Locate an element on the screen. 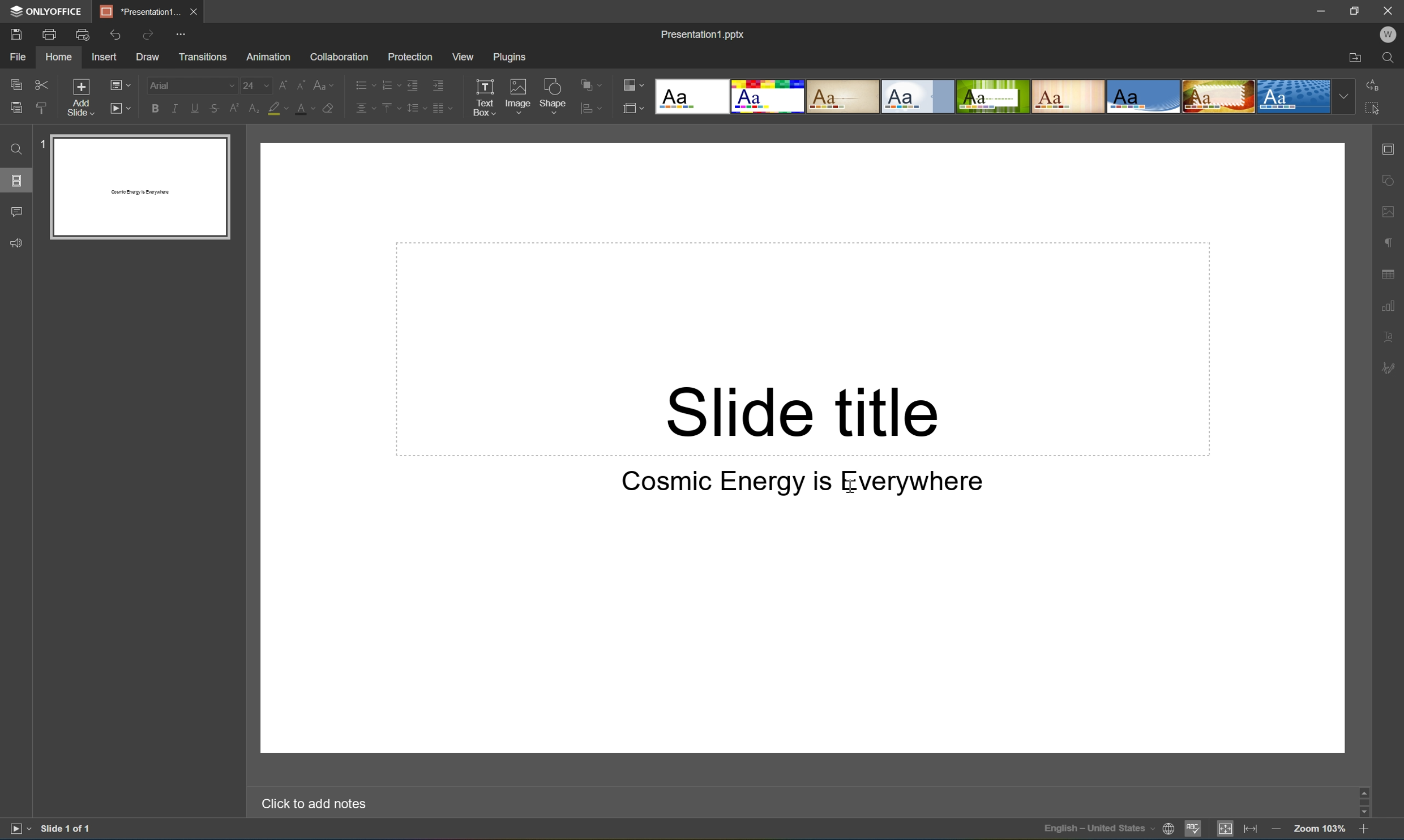  Text art settings is located at coordinates (1389, 337).